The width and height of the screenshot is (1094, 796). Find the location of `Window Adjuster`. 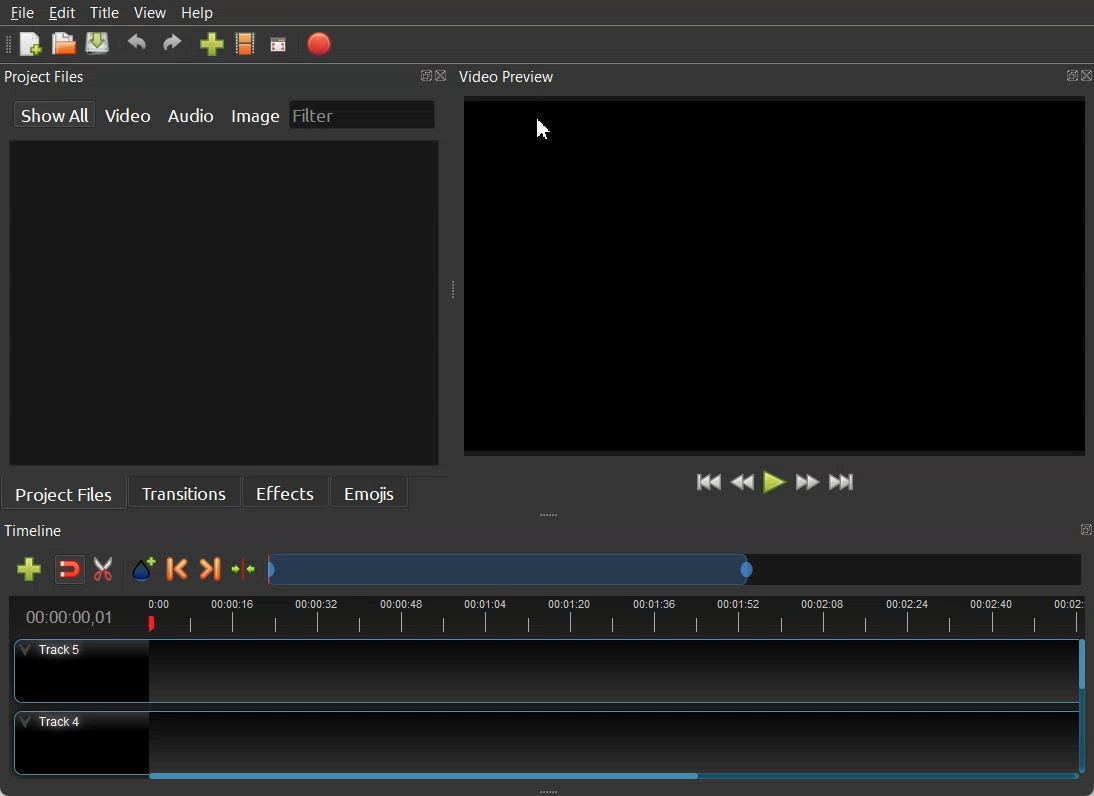

Window Adjuster is located at coordinates (547, 790).